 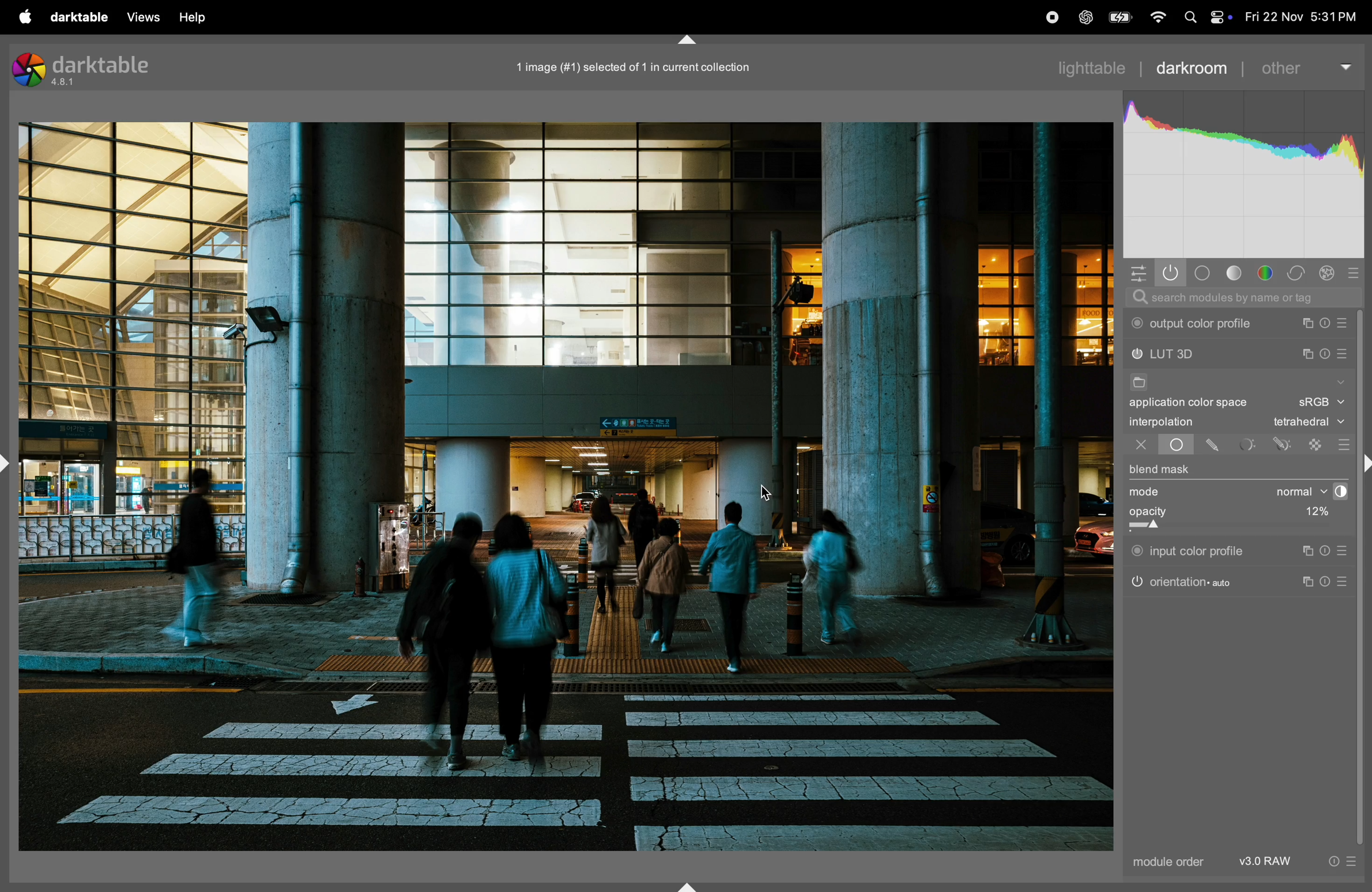 What do you see at coordinates (1299, 273) in the screenshot?
I see `correct` at bounding box center [1299, 273].